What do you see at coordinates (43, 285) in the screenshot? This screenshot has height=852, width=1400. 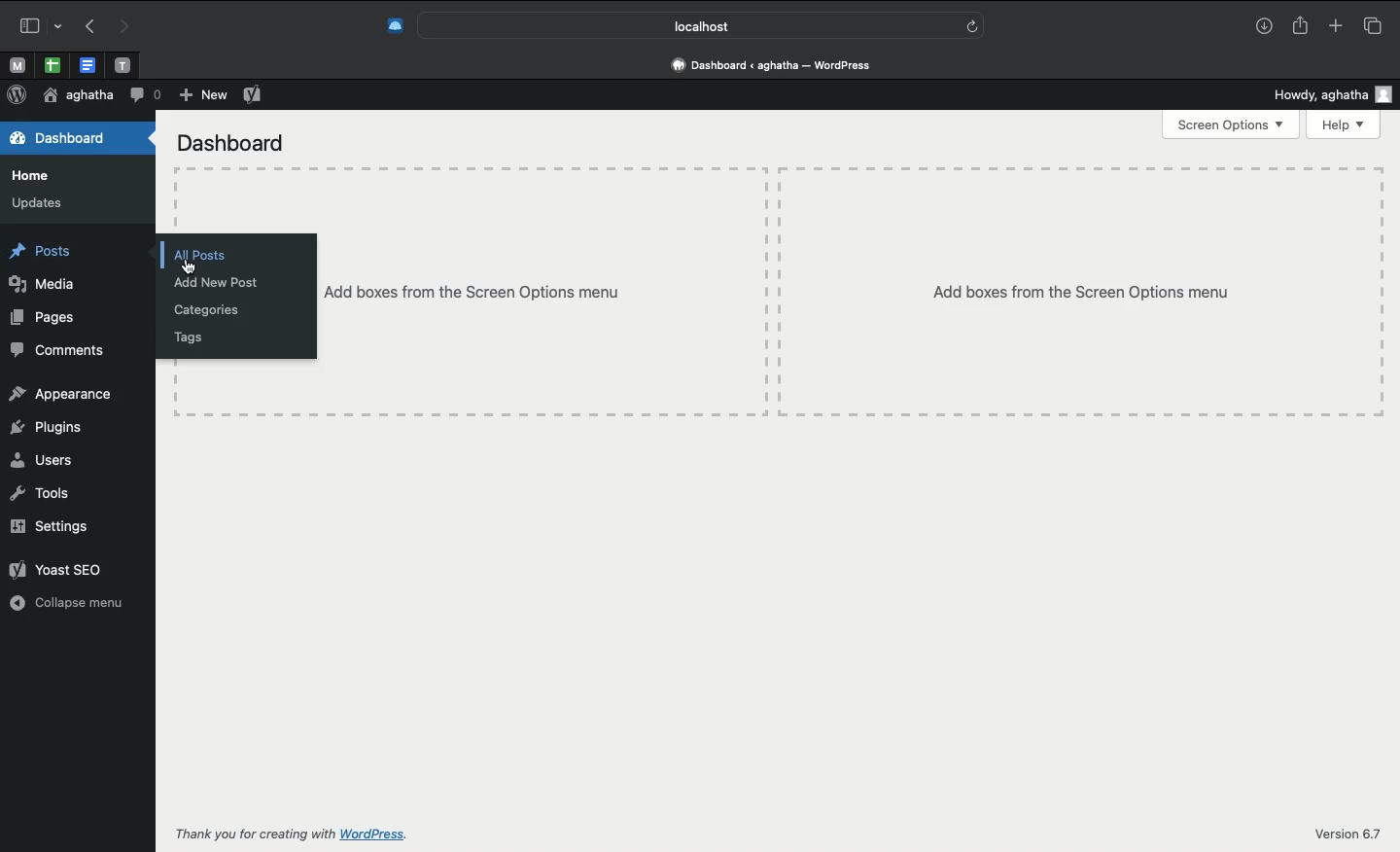 I see `Media` at bounding box center [43, 285].